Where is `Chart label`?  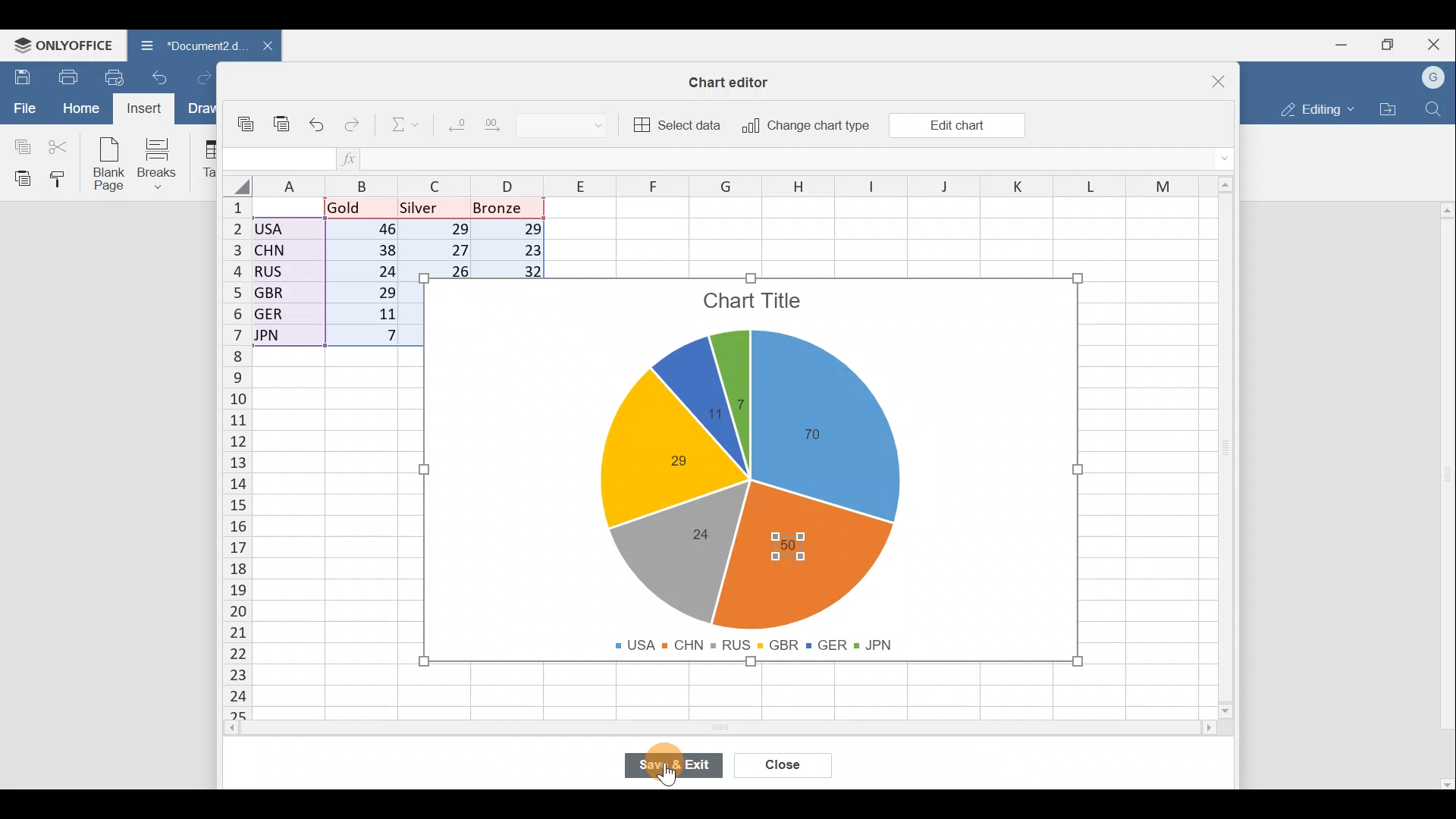 Chart label is located at coordinates (667, 460).